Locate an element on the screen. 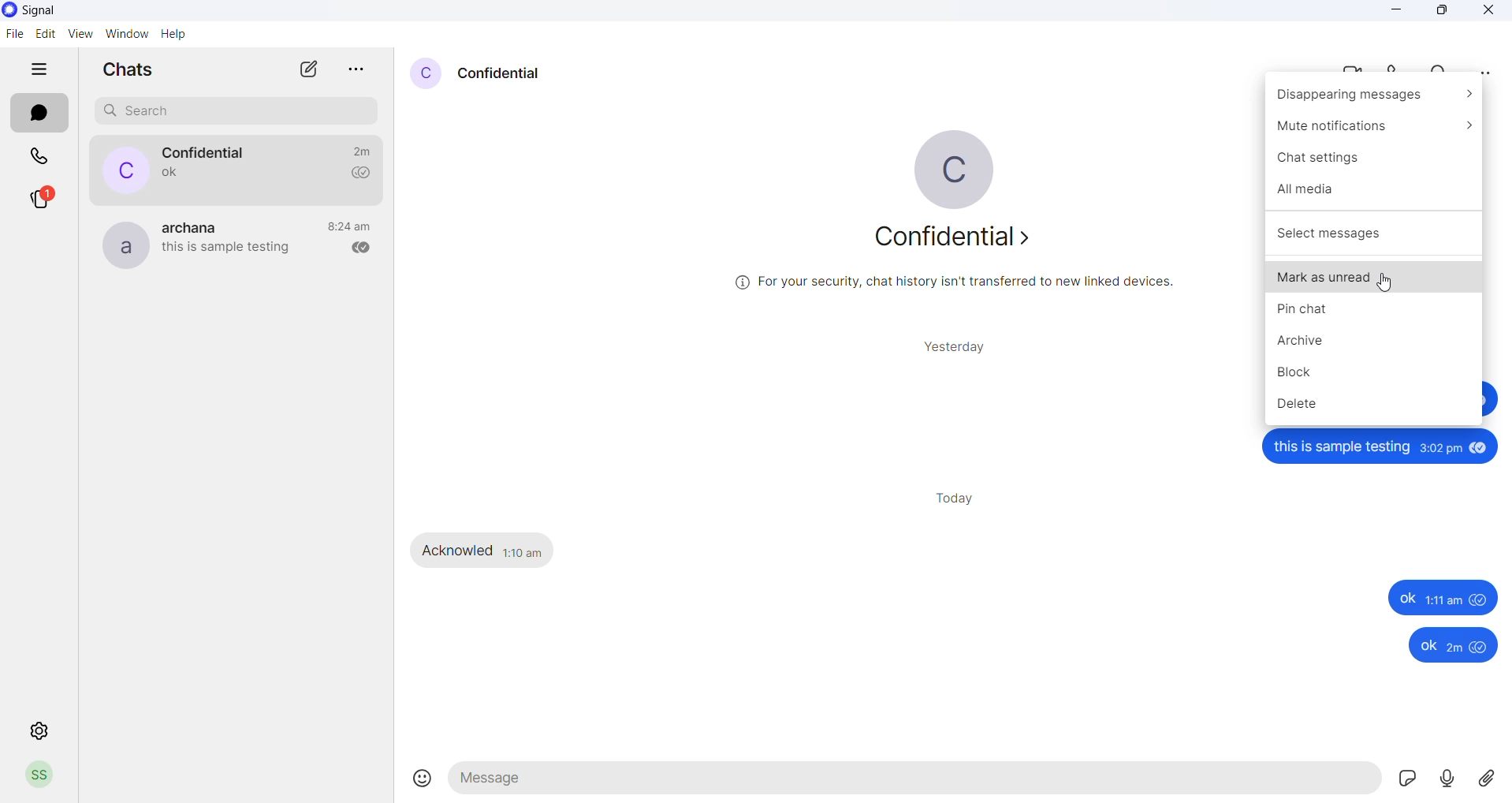 This screenshot has height=803, width=1512. voice call is located at coordinates (1395, 69).